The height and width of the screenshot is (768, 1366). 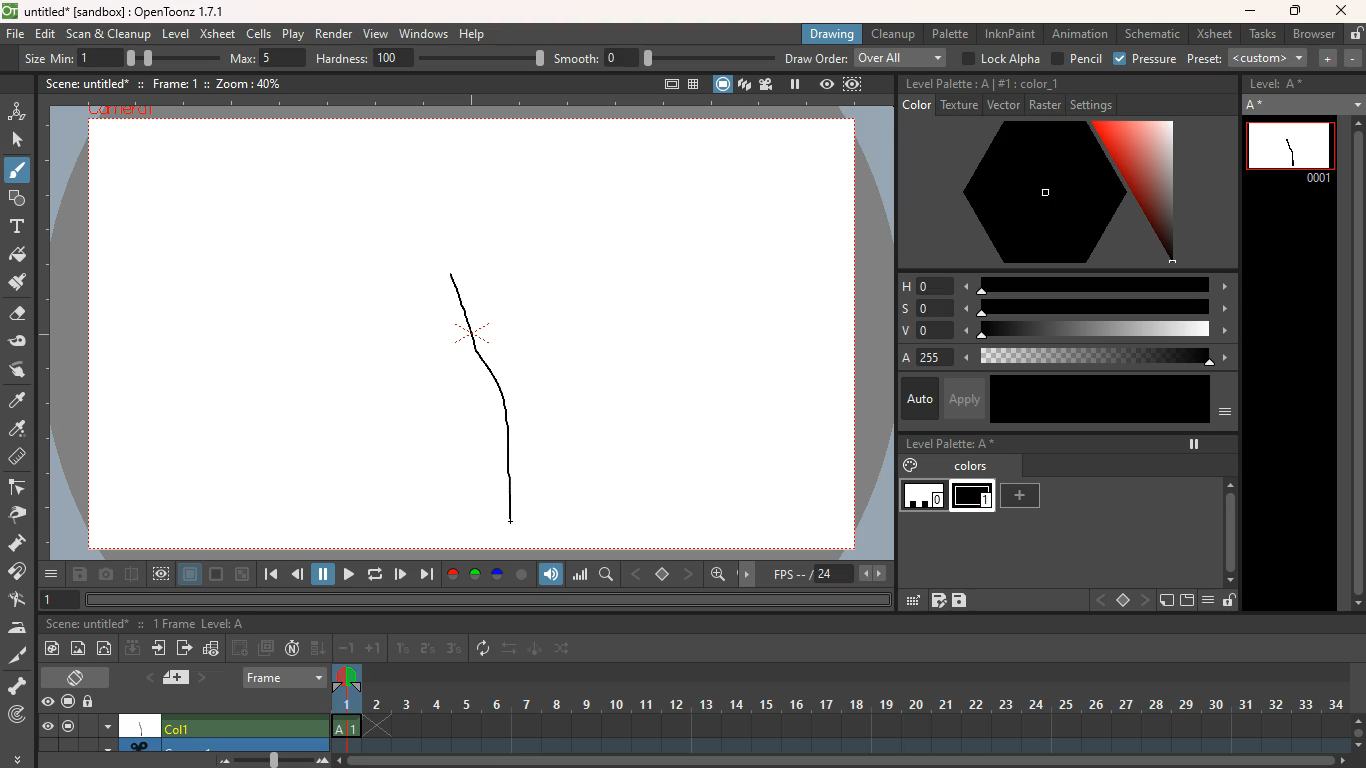 I want to click on back, so click(x=241, y=647).